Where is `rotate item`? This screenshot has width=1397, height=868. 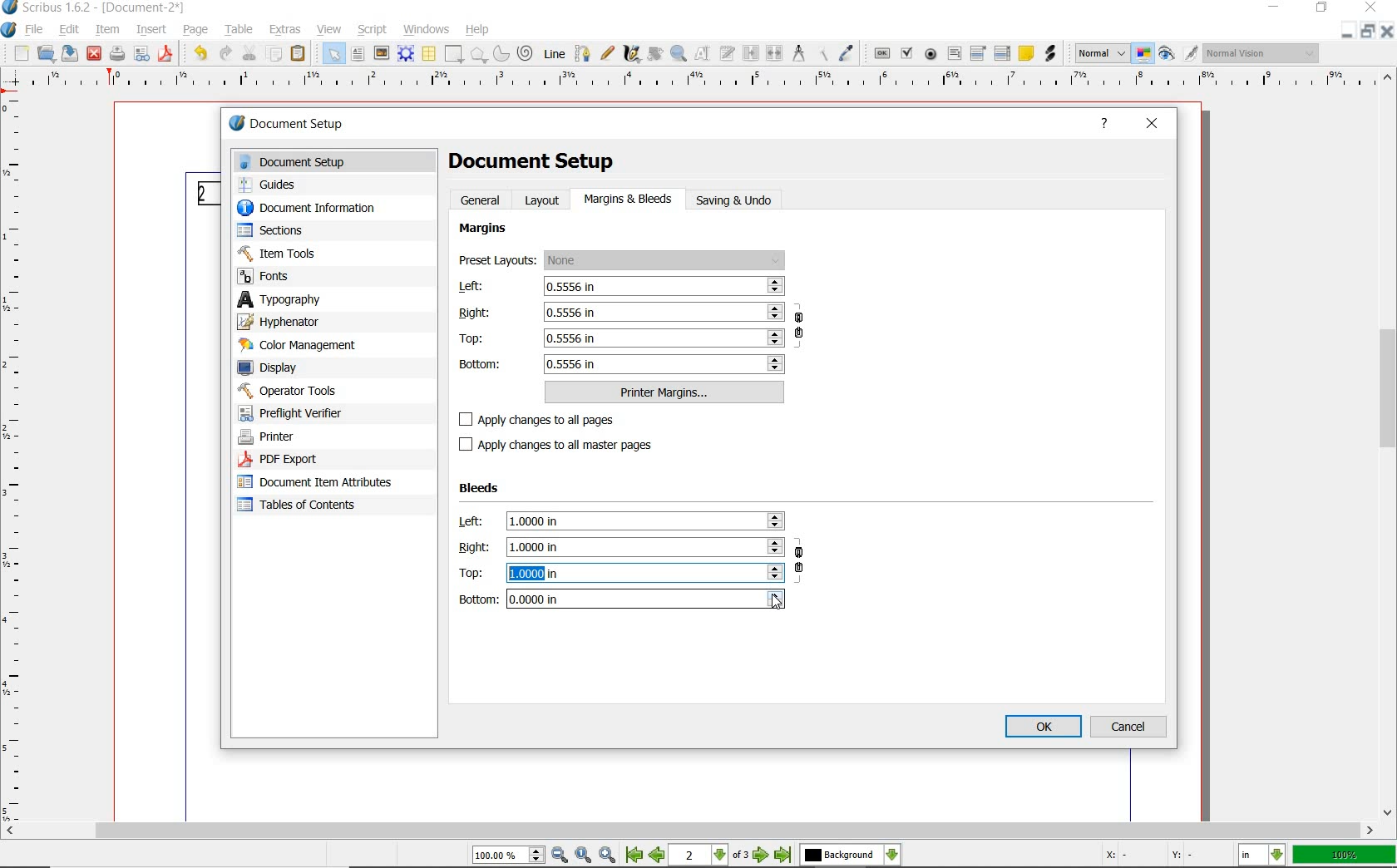
rotate item is located at coordinates (654, 53).